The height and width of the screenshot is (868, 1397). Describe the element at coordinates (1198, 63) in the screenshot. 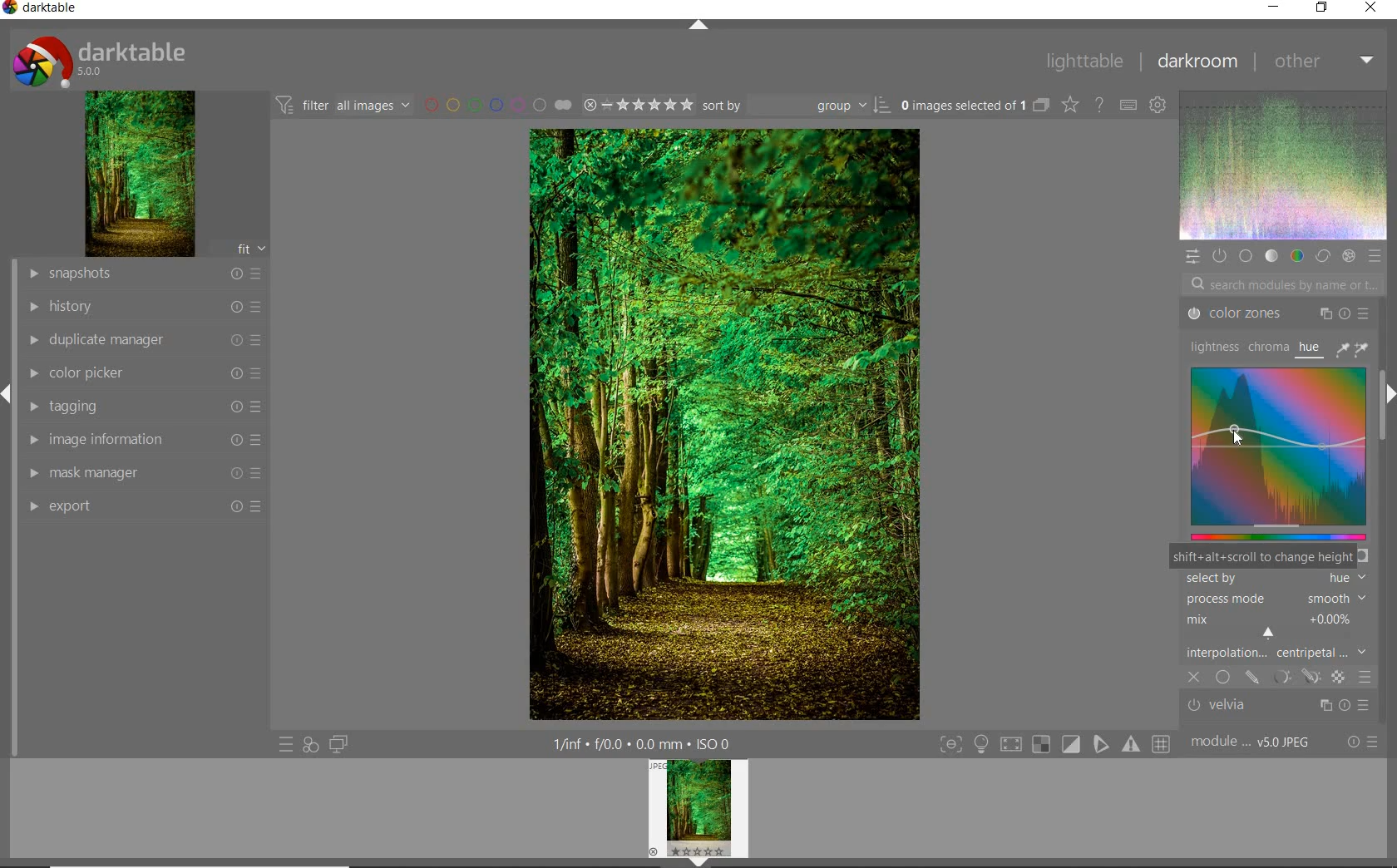

I see `DARKROOM` at that location.